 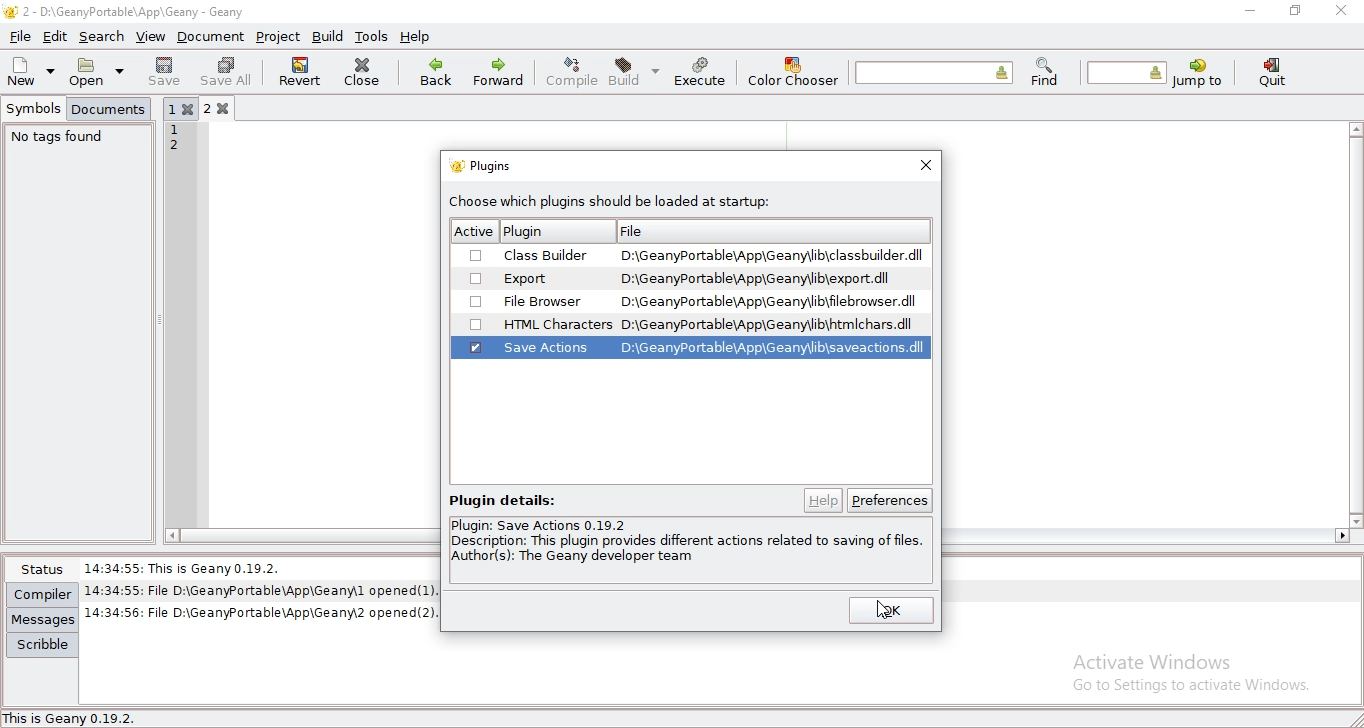 What do you see at coordinates (1345, 9) in the screenshot?
I see `close` at bounding box center [1345, 9].